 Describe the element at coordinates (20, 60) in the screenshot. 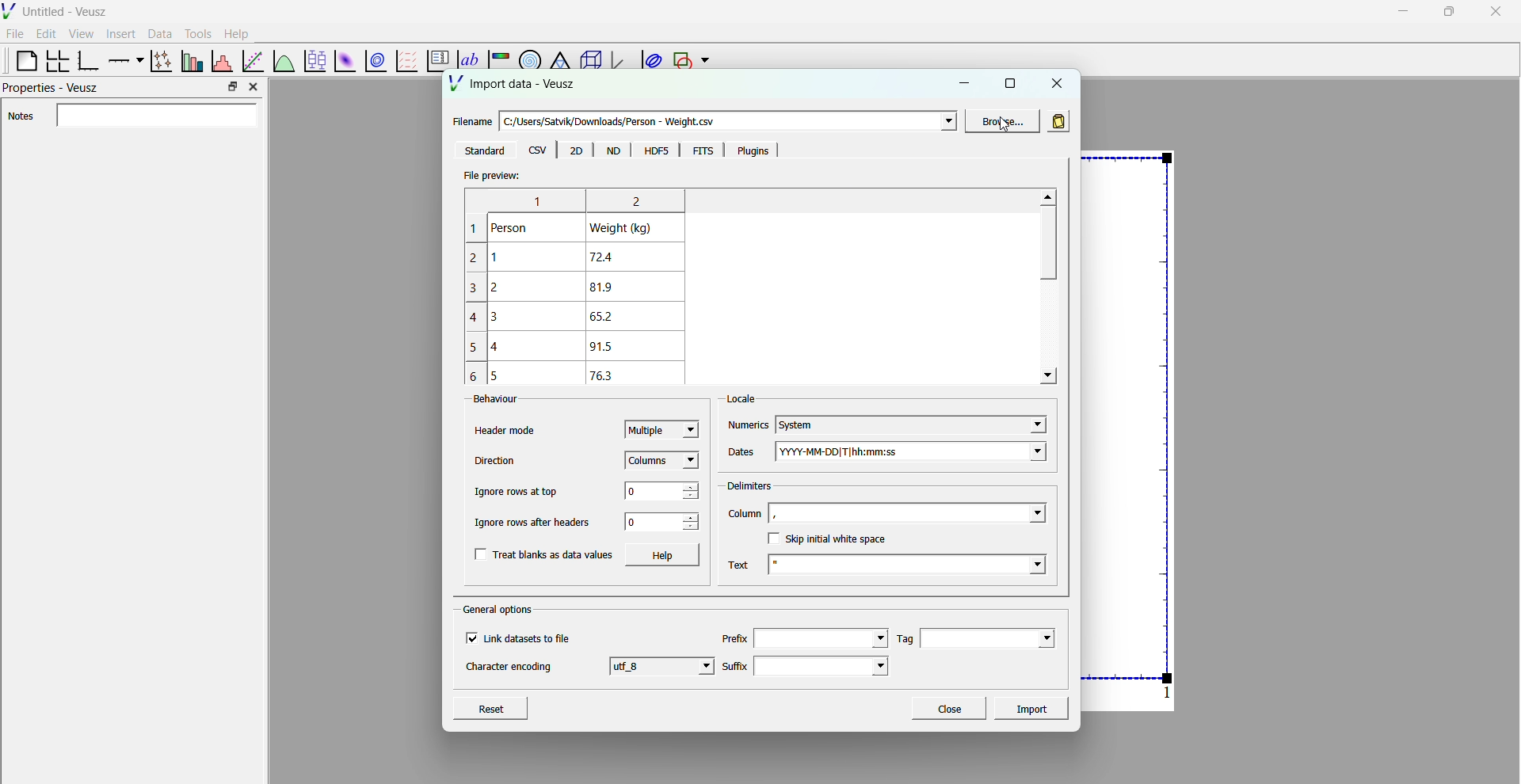

I see `blank page` at that location.